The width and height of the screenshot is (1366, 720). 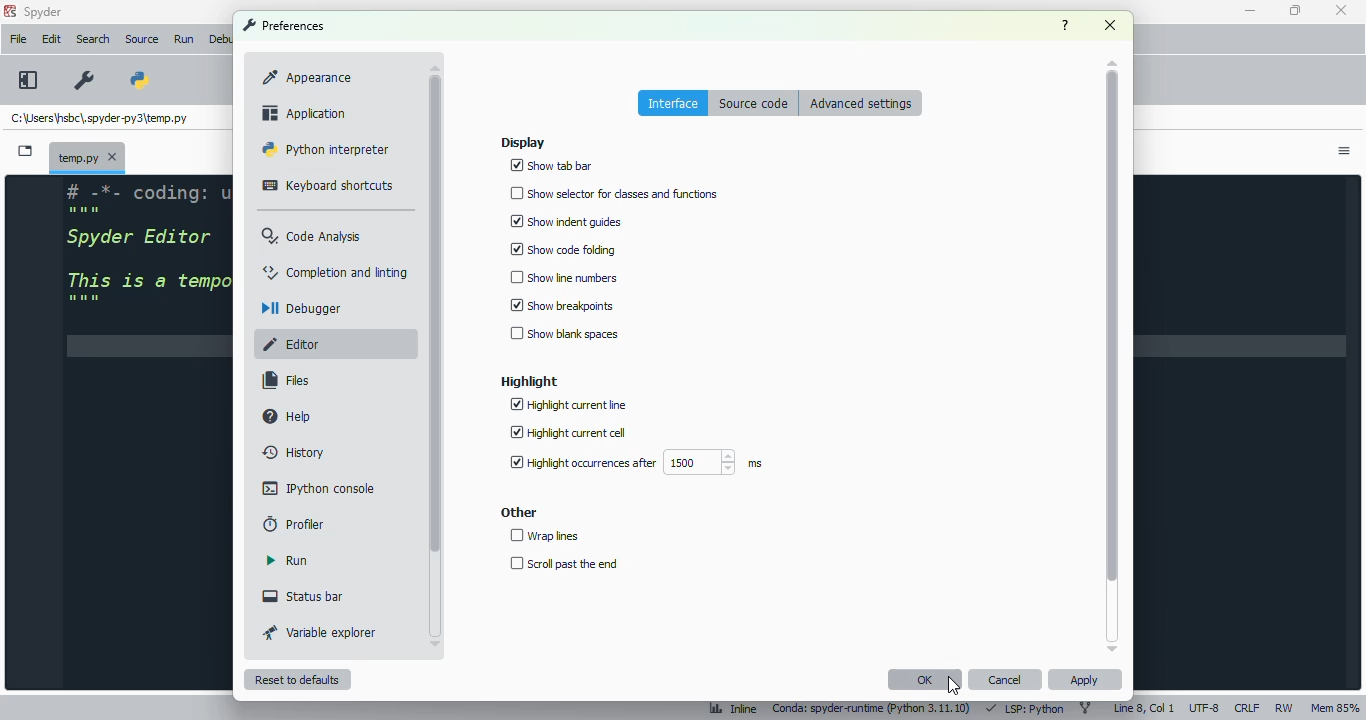 I want to click on run, so click(x=287, y=560).